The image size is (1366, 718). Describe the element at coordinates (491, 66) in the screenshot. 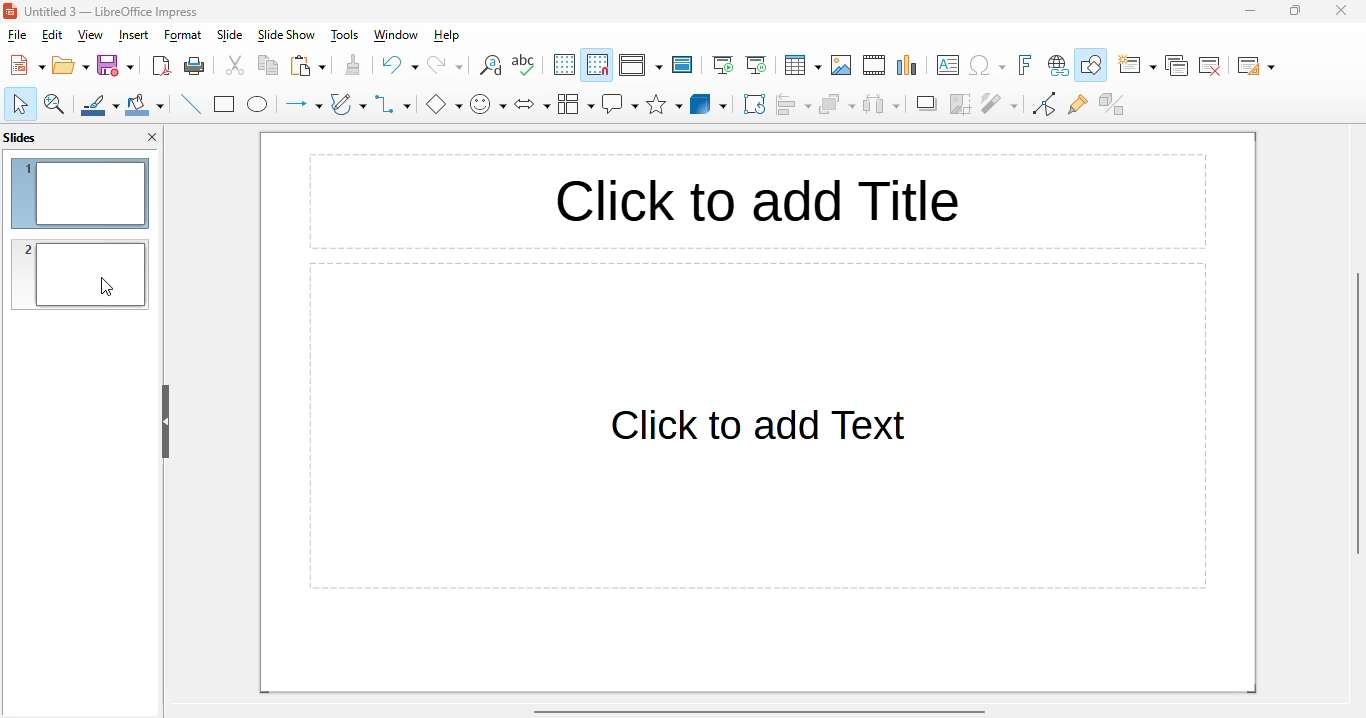

I see `find and replace` at that location.